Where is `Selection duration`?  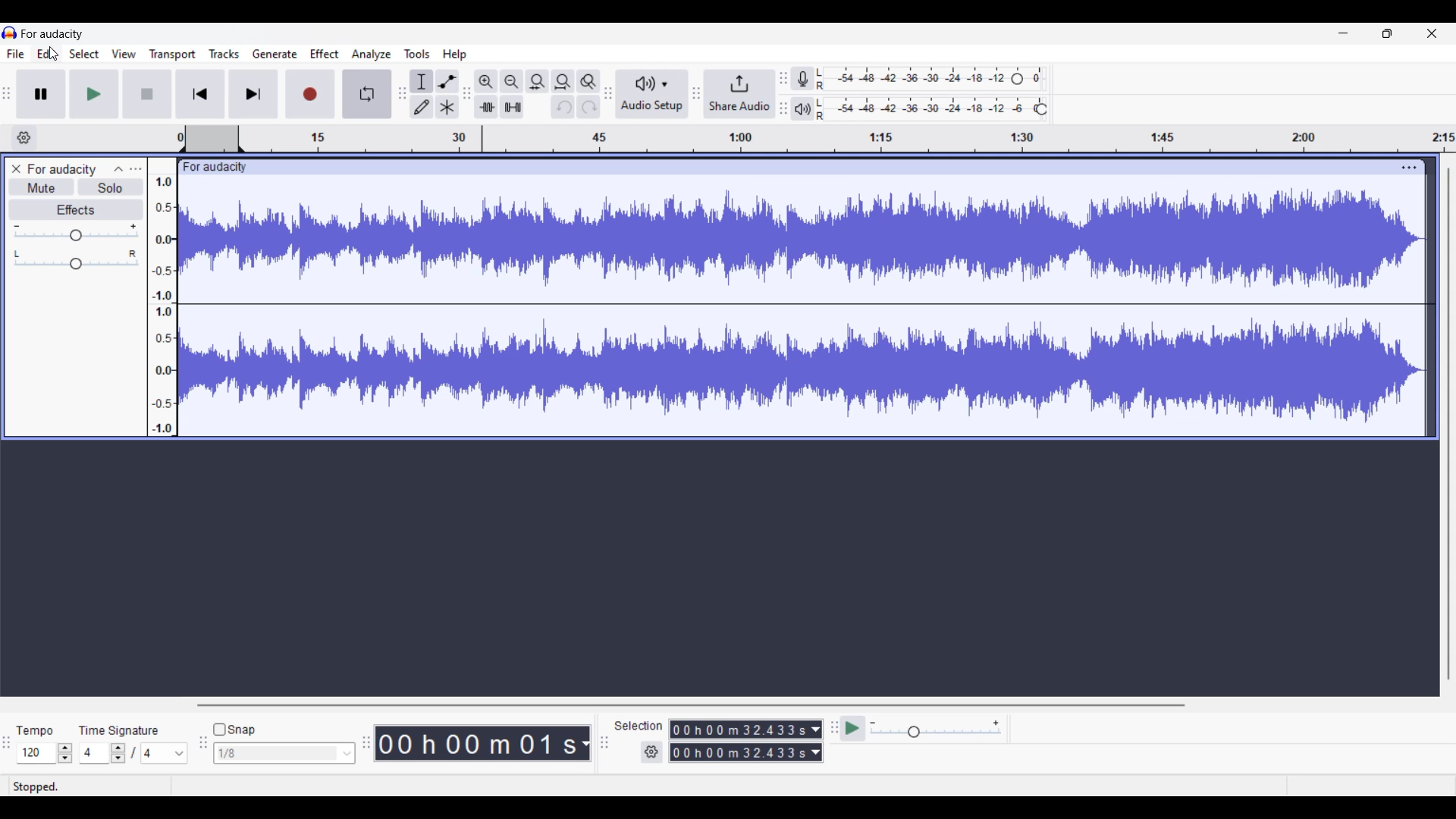 Selection duration is located at coordinates (739, 741).